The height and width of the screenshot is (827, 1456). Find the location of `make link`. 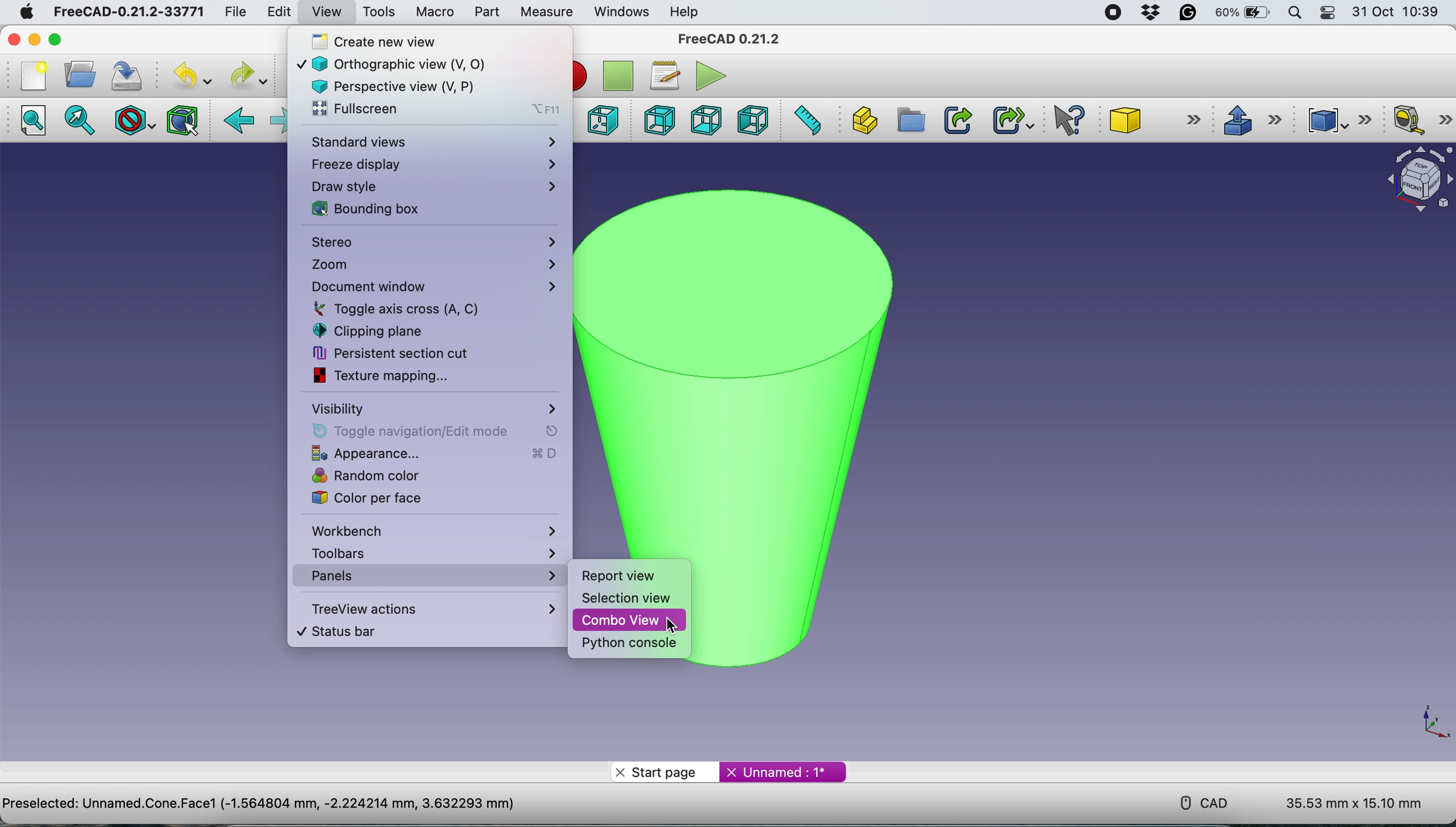

make link is located at coordinates (958, 119).